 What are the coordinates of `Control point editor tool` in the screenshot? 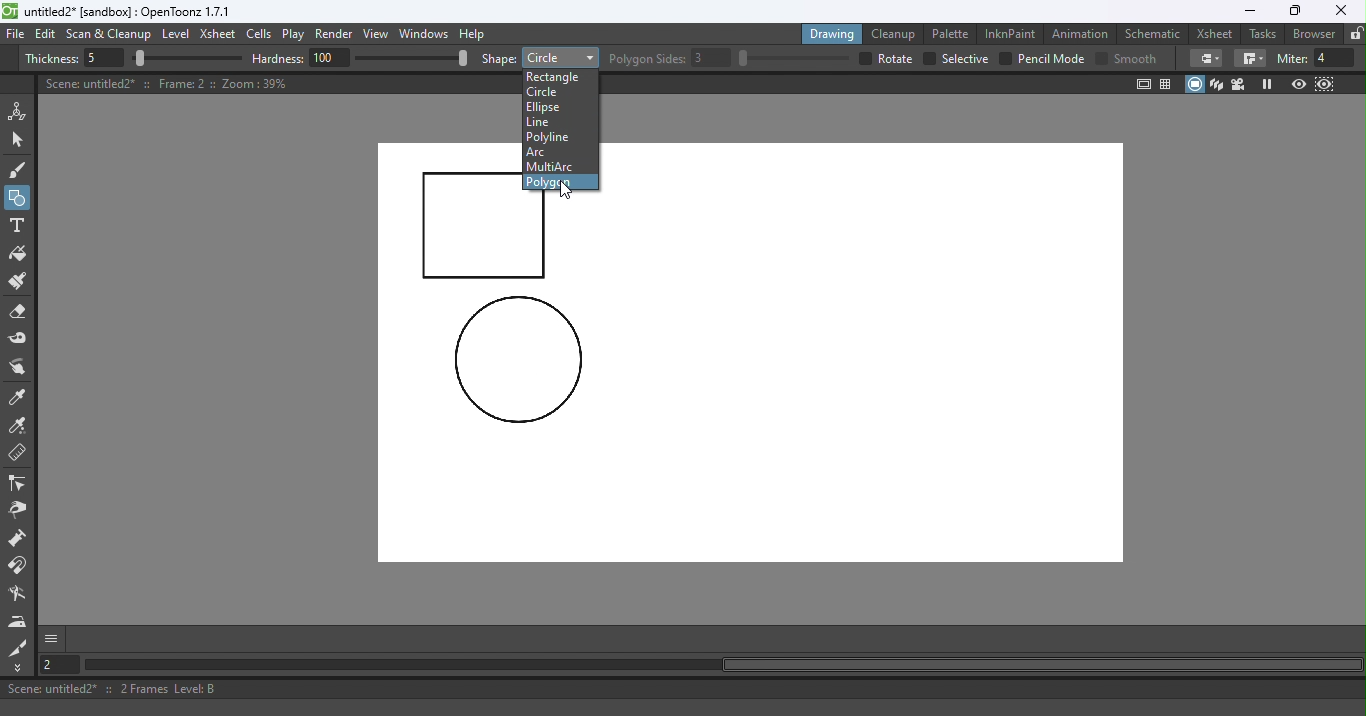 It's located at (18, 485).